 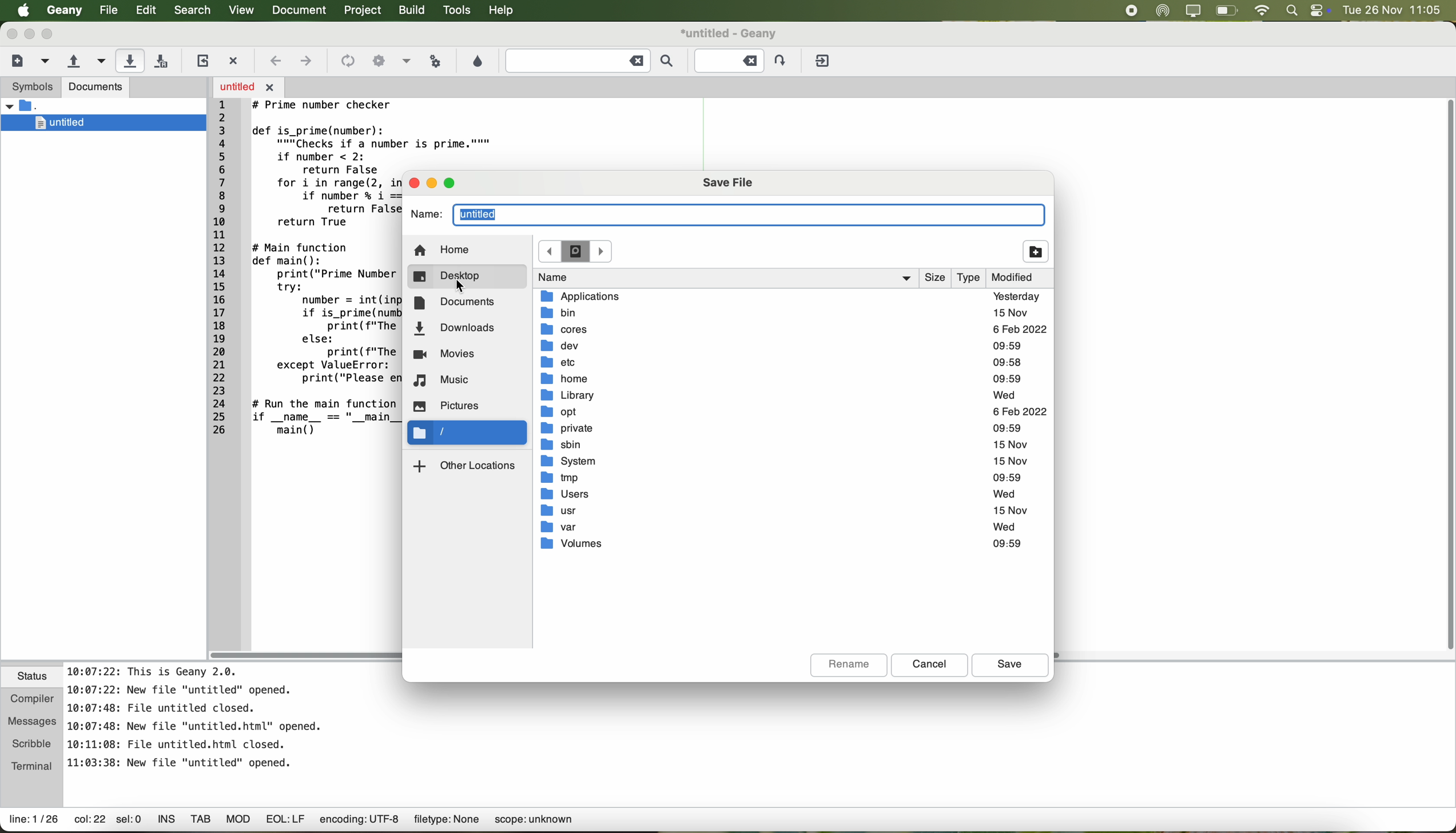 What do you see at coordinates (1292, 11) in the screenshot?
I see `spotlight search` at bounding box center [1292, 11].